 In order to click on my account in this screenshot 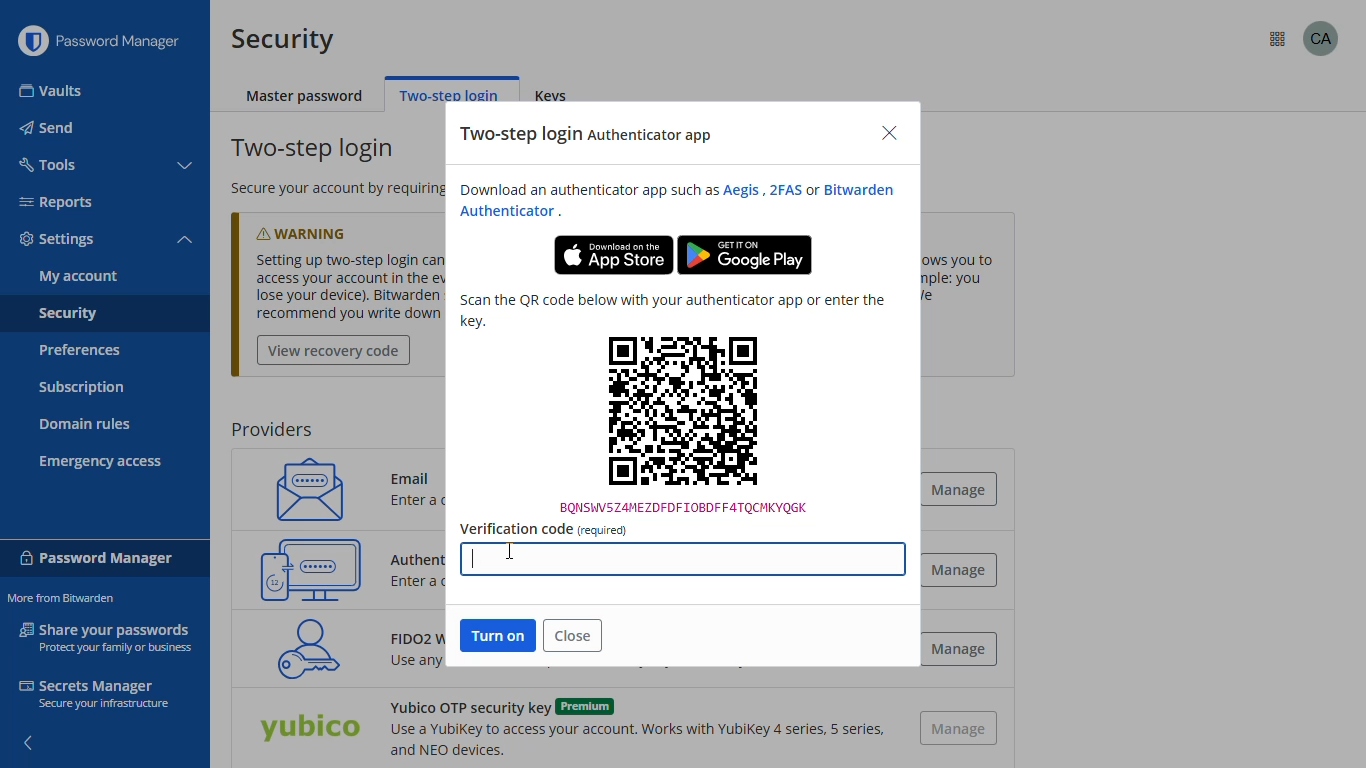, I will do `click(79, 276)`.